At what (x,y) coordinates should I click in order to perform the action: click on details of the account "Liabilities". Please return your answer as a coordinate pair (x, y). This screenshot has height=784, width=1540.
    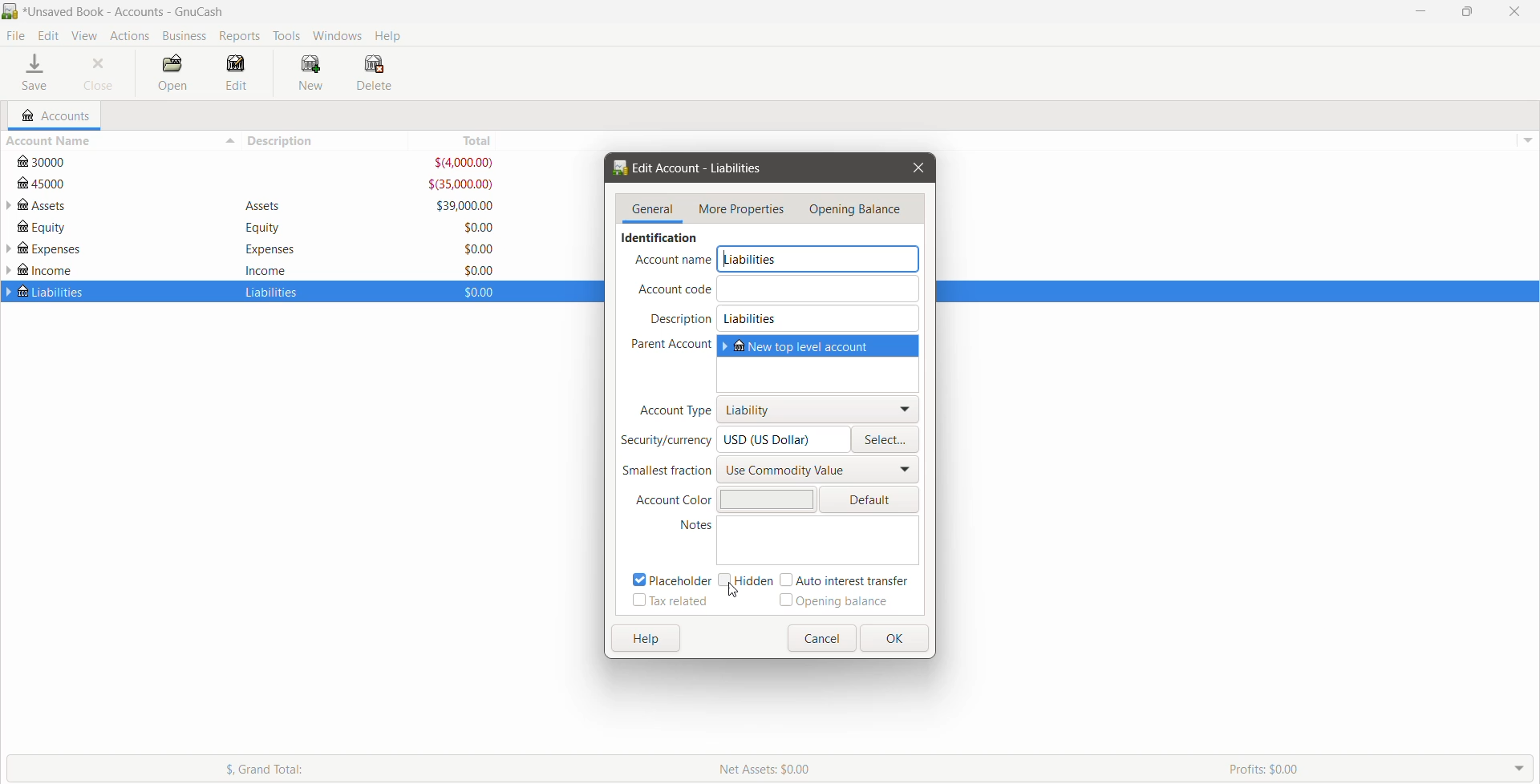
    Looking at the image, I should click on (268, 293).